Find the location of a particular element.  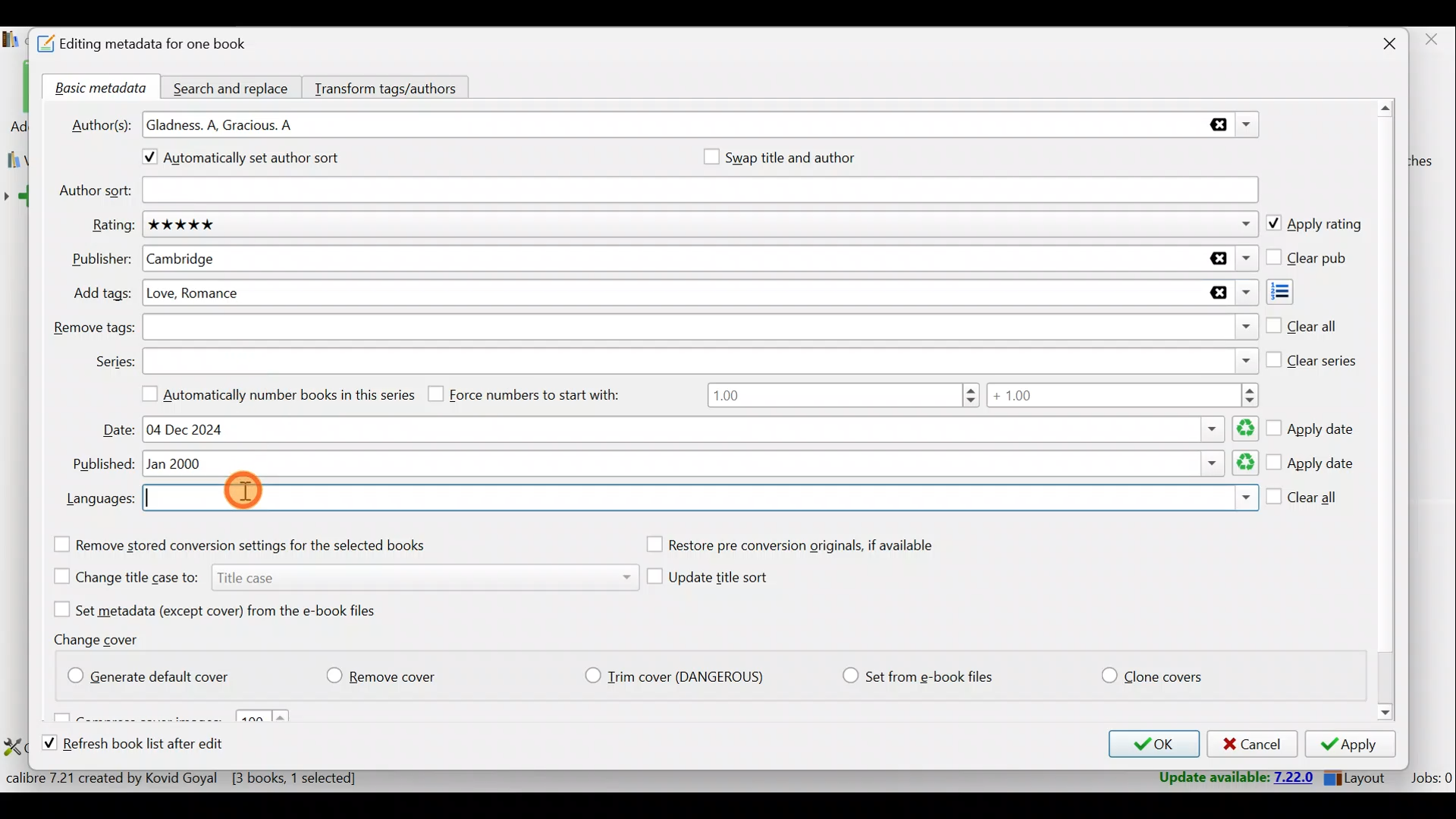

Author sort: is located at coordinates (93, 191).